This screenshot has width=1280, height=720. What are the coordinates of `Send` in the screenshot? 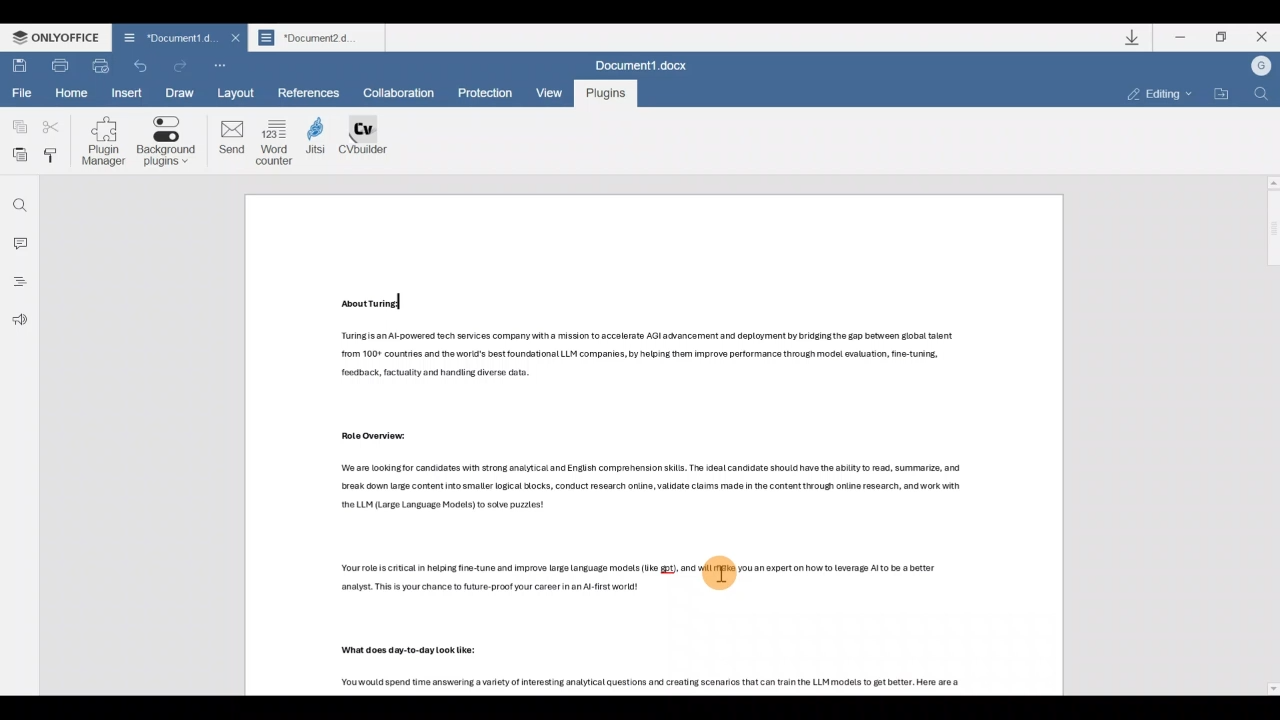 It's located at (226, 140).